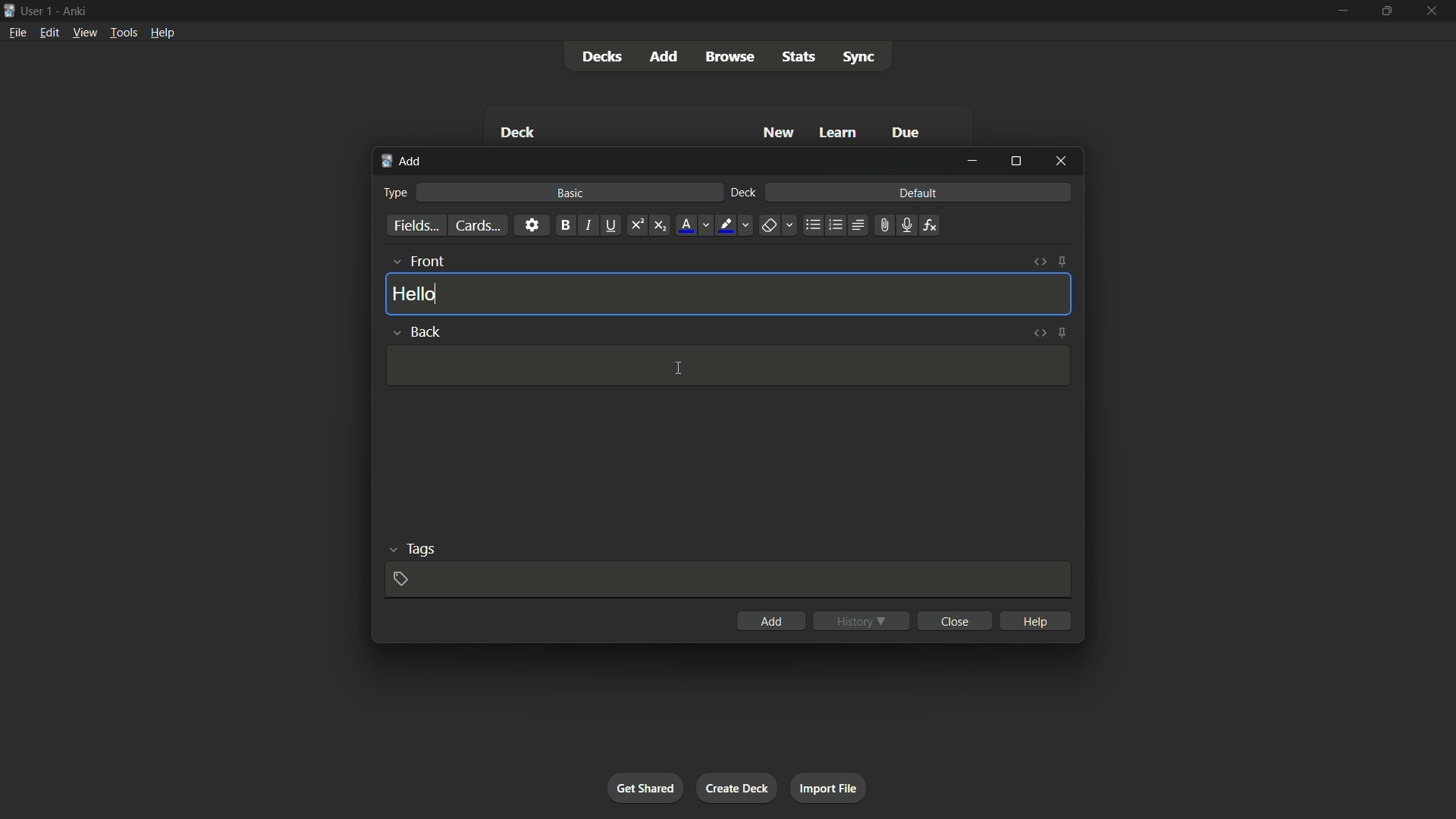 The height and width of the screenshot is (819, 1456). I want to click on front, so click(417, 262).